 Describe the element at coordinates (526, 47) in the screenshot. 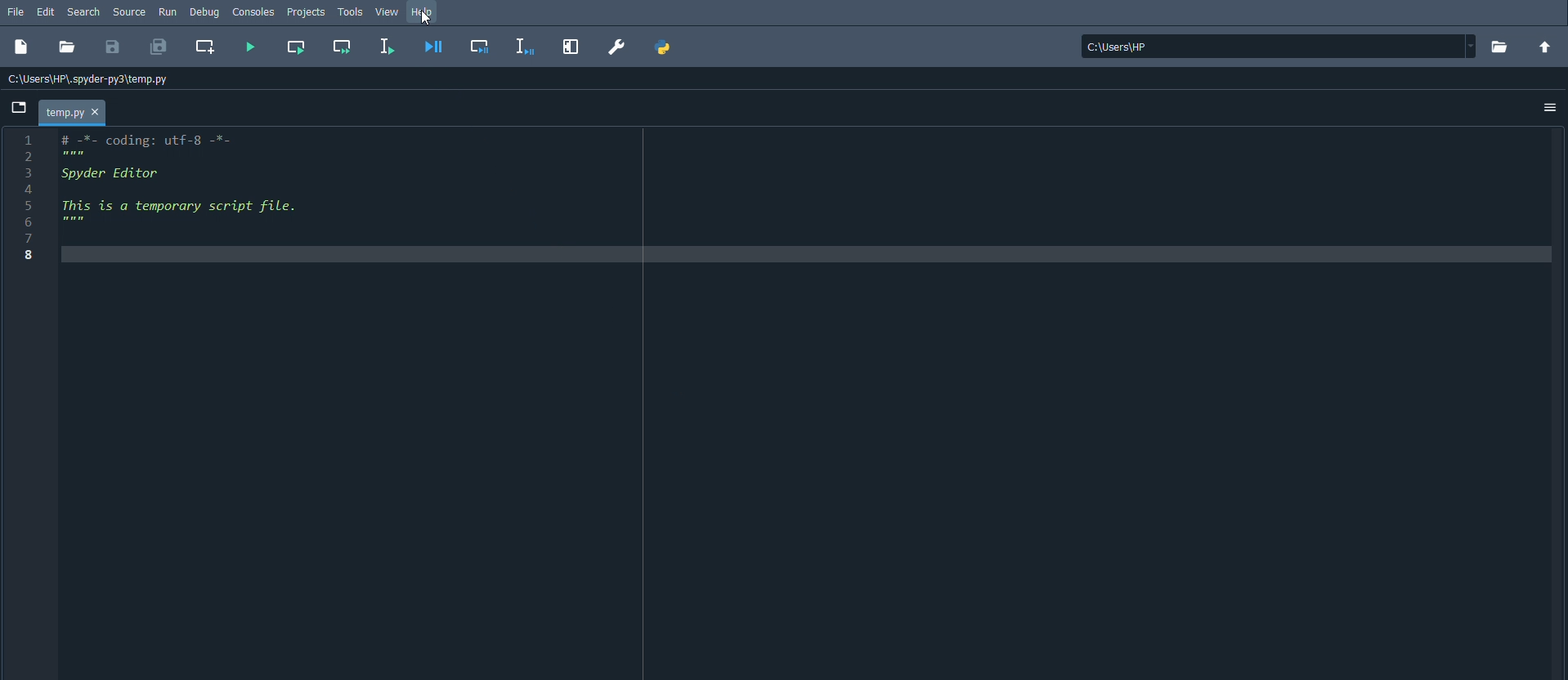

I see `Debug selection or current line` at that location.